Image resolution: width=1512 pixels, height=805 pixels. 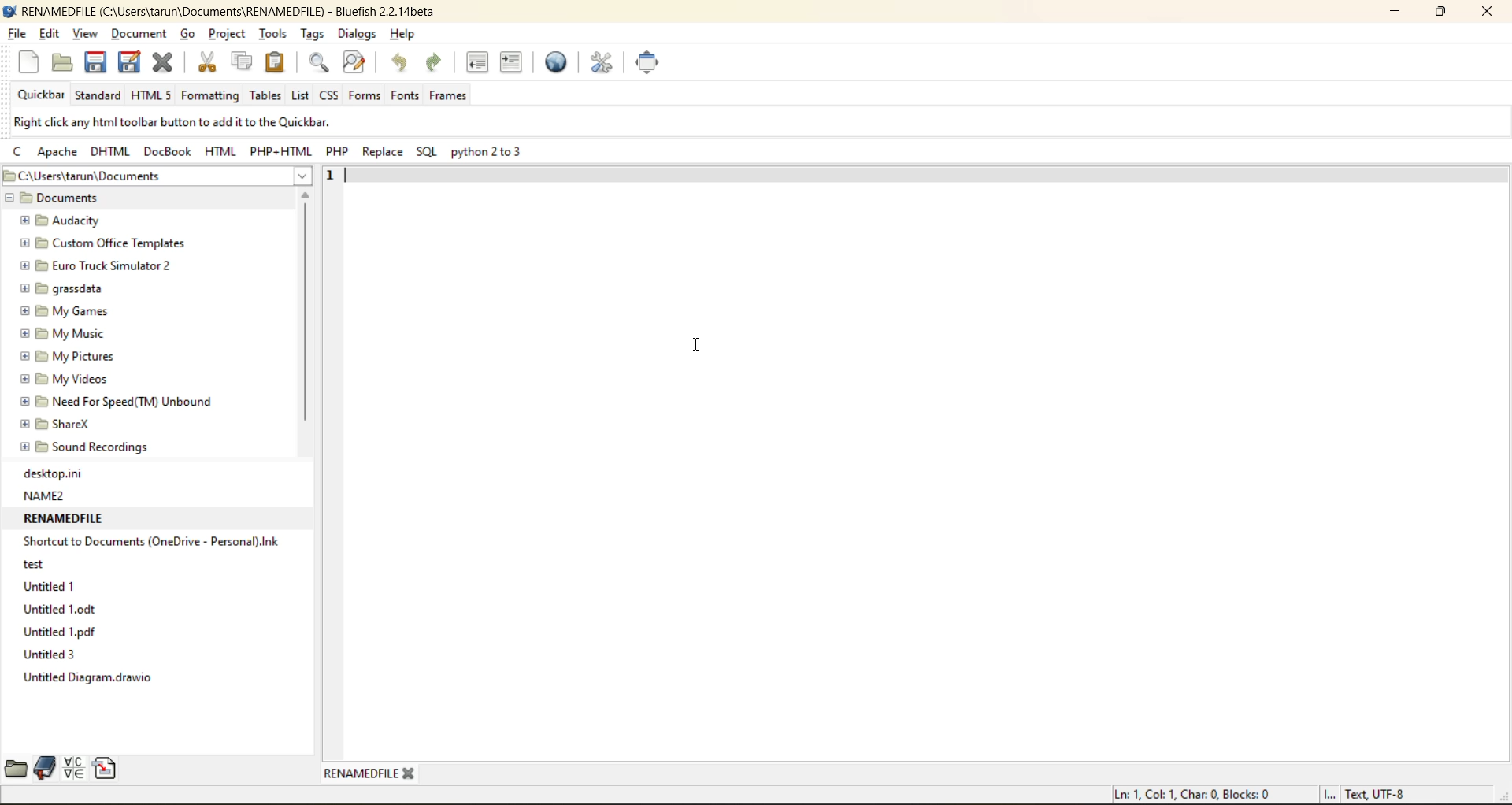 I want to click on Documents, so click(x=60, y=198).